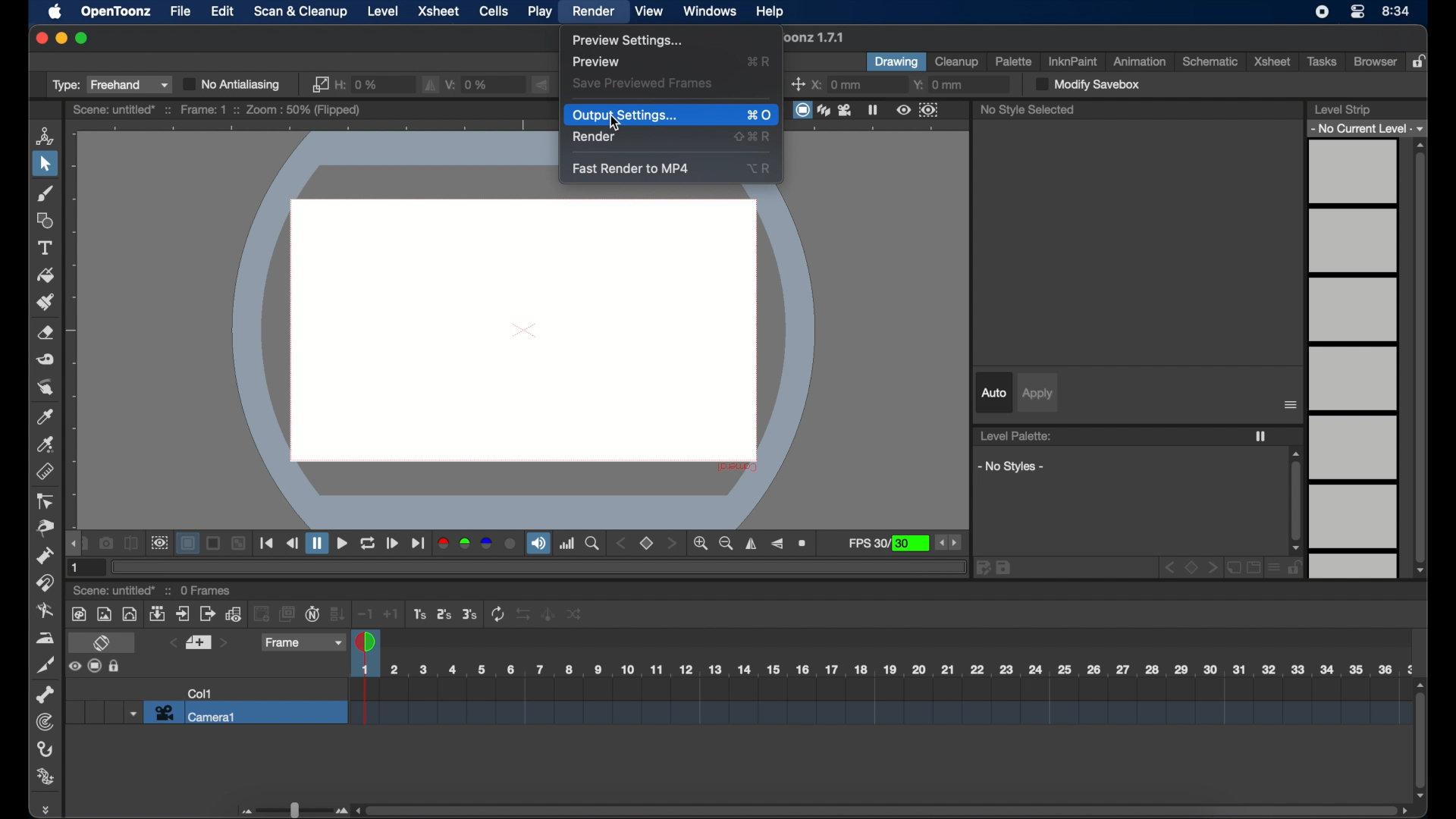  Describe the element at coordinates (1028, 109) in the screenshot. I see `no style selected` at that location.